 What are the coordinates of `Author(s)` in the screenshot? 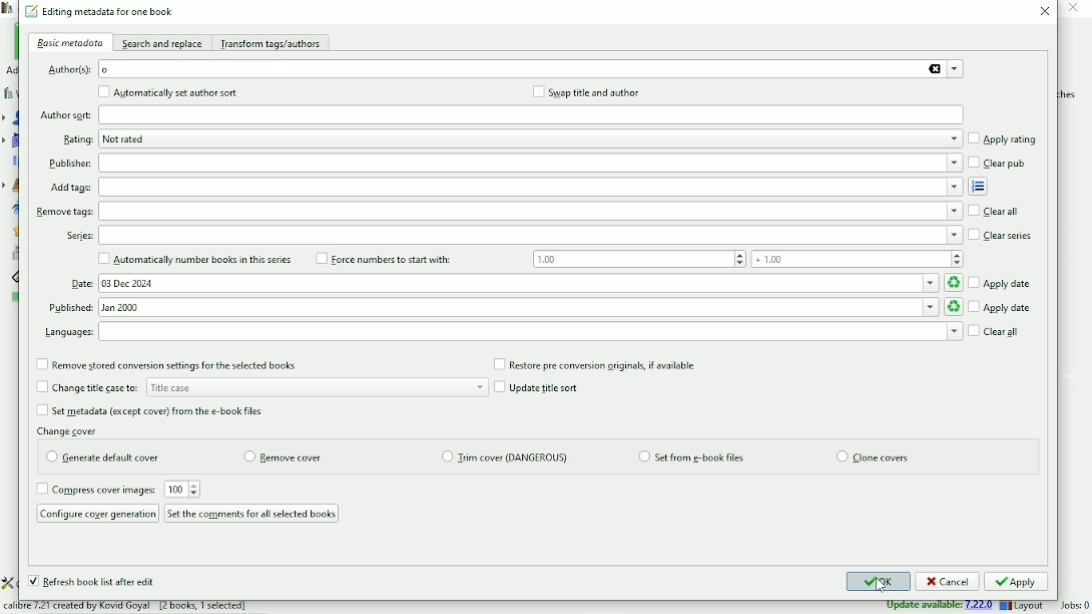 It's located at (67, 71).